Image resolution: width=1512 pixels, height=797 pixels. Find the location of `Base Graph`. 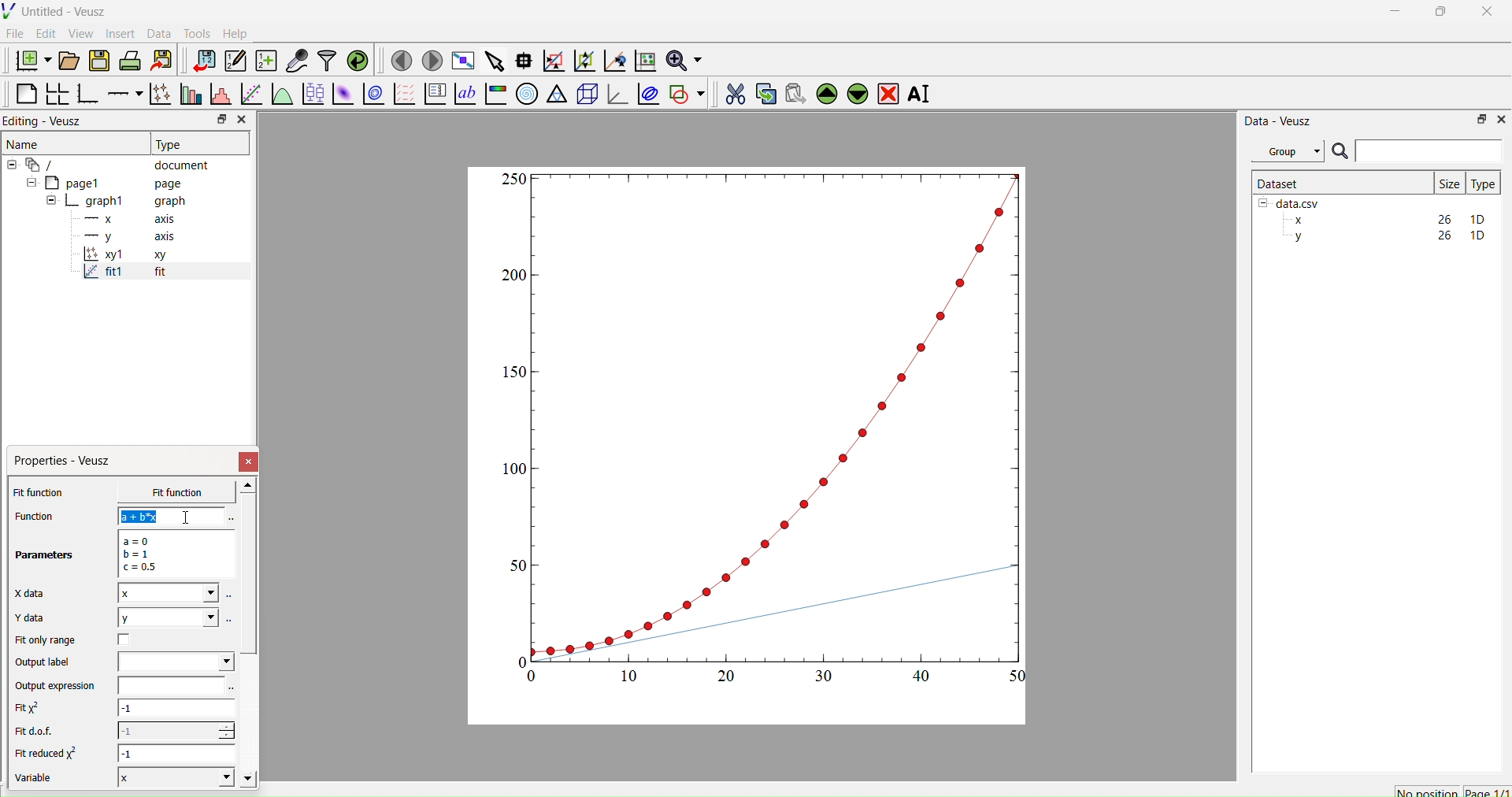

Base Graph is located at coordinates (85, 95).